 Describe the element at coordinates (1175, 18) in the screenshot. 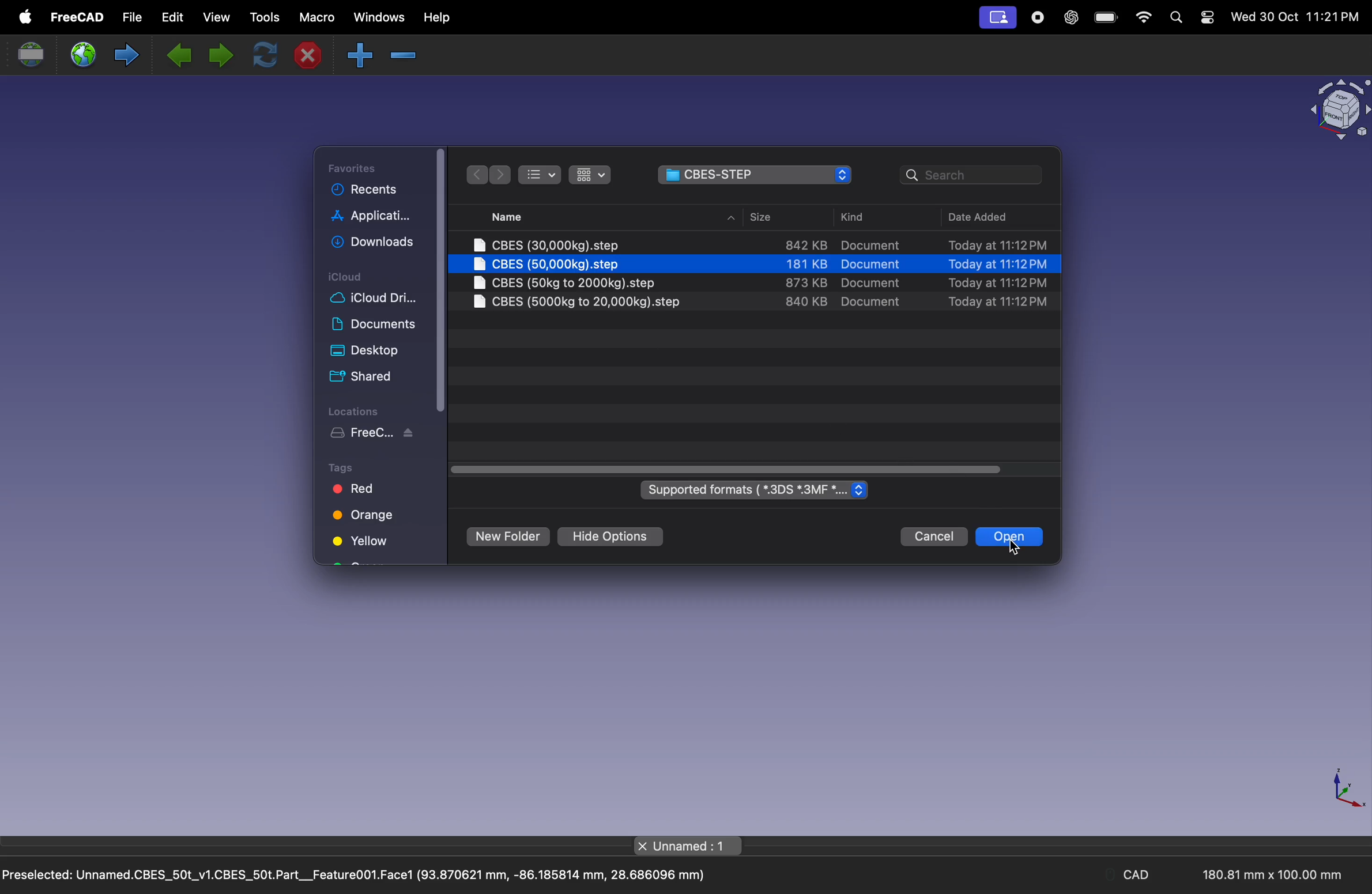

I see `search` at that location.